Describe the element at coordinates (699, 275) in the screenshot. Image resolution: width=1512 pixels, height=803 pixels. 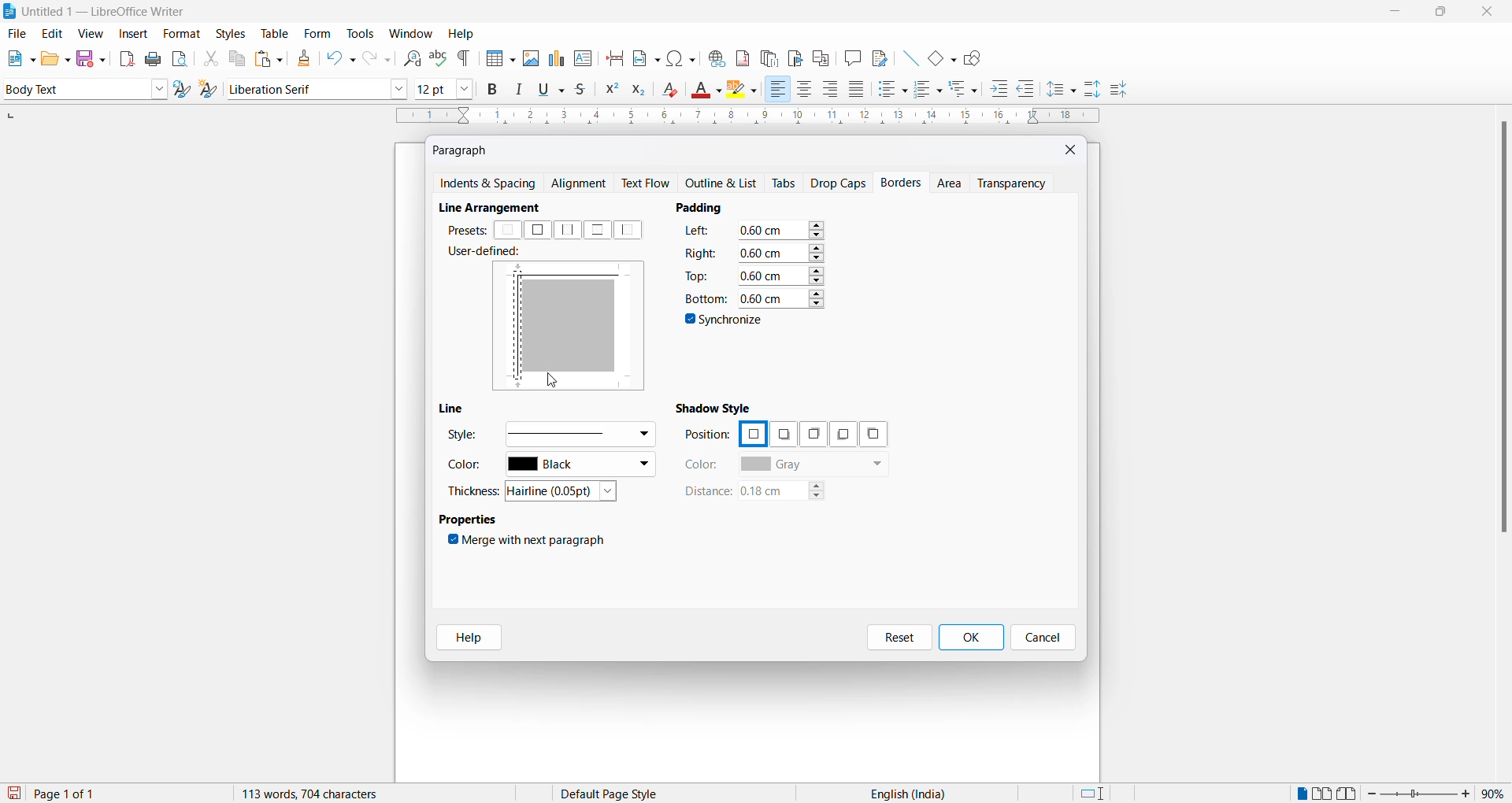
I see `top` at that location.